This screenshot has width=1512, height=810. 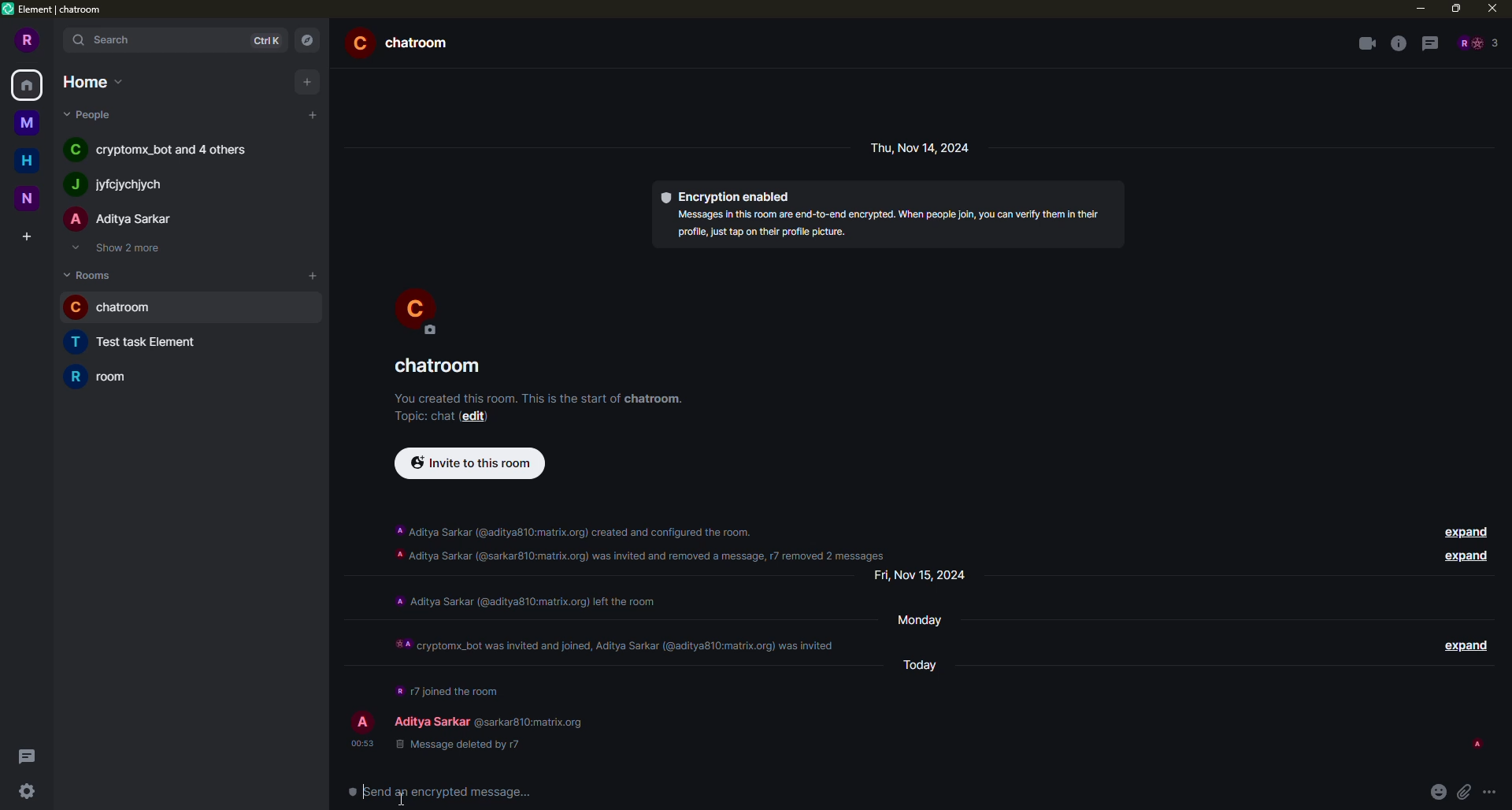 What do you see at coordinates (480, 417) in the screenshot?
I see `edit` at bounding box center [480, 417].